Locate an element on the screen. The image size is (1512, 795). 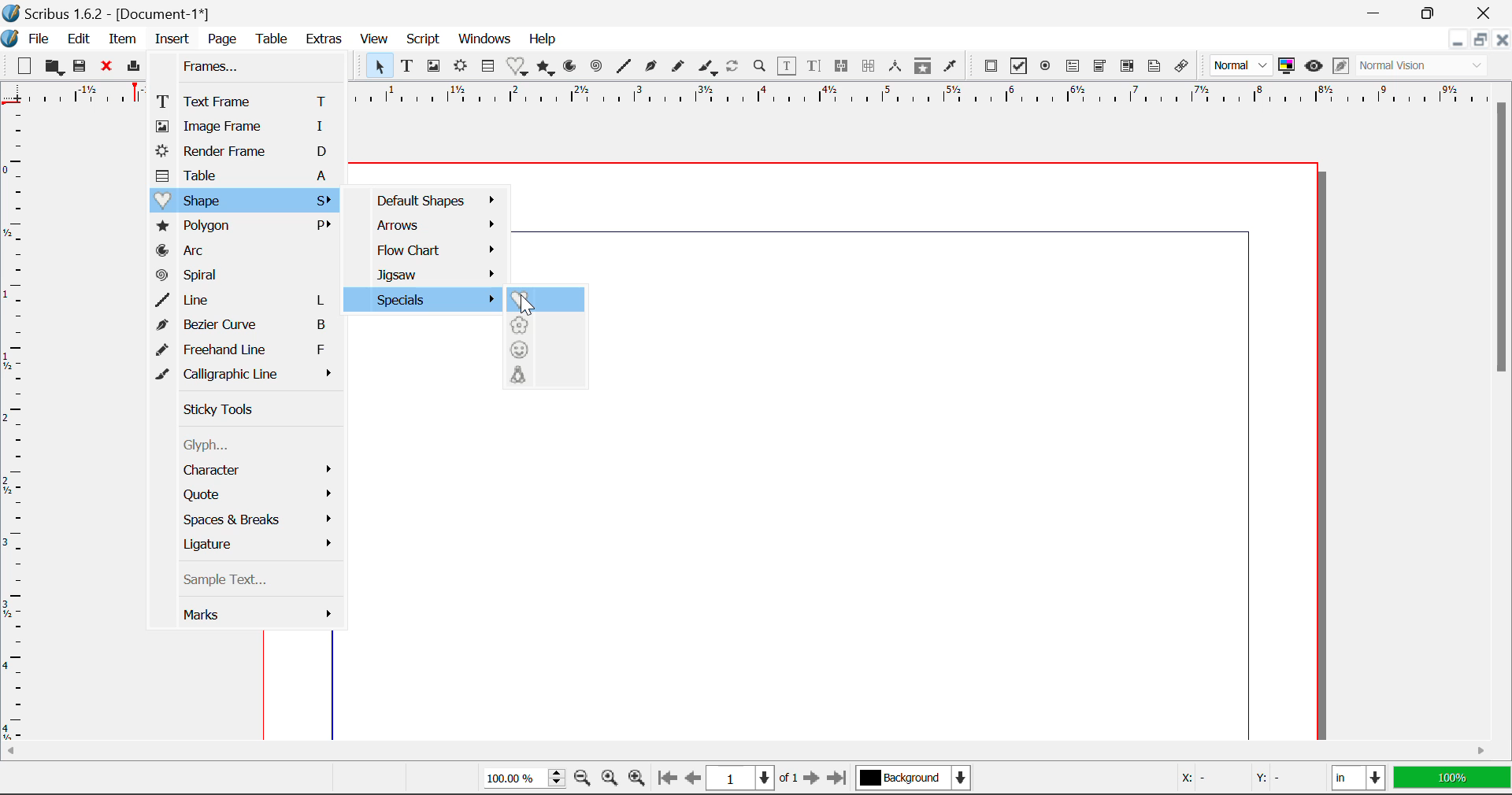
Previous is located at coordinates (694, 779).